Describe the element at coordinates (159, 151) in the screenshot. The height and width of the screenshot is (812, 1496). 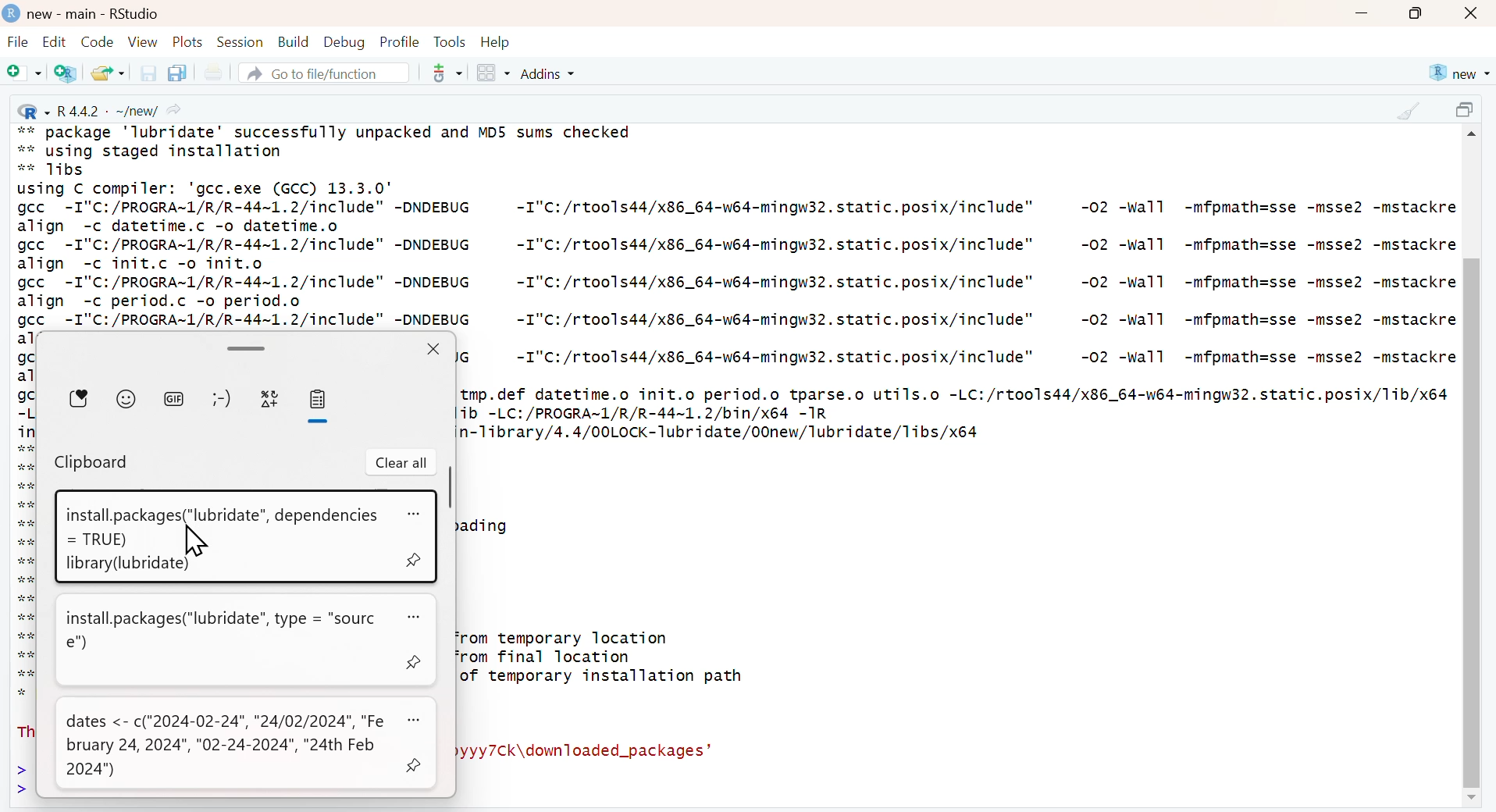
I see `** using staged installation` at that location.